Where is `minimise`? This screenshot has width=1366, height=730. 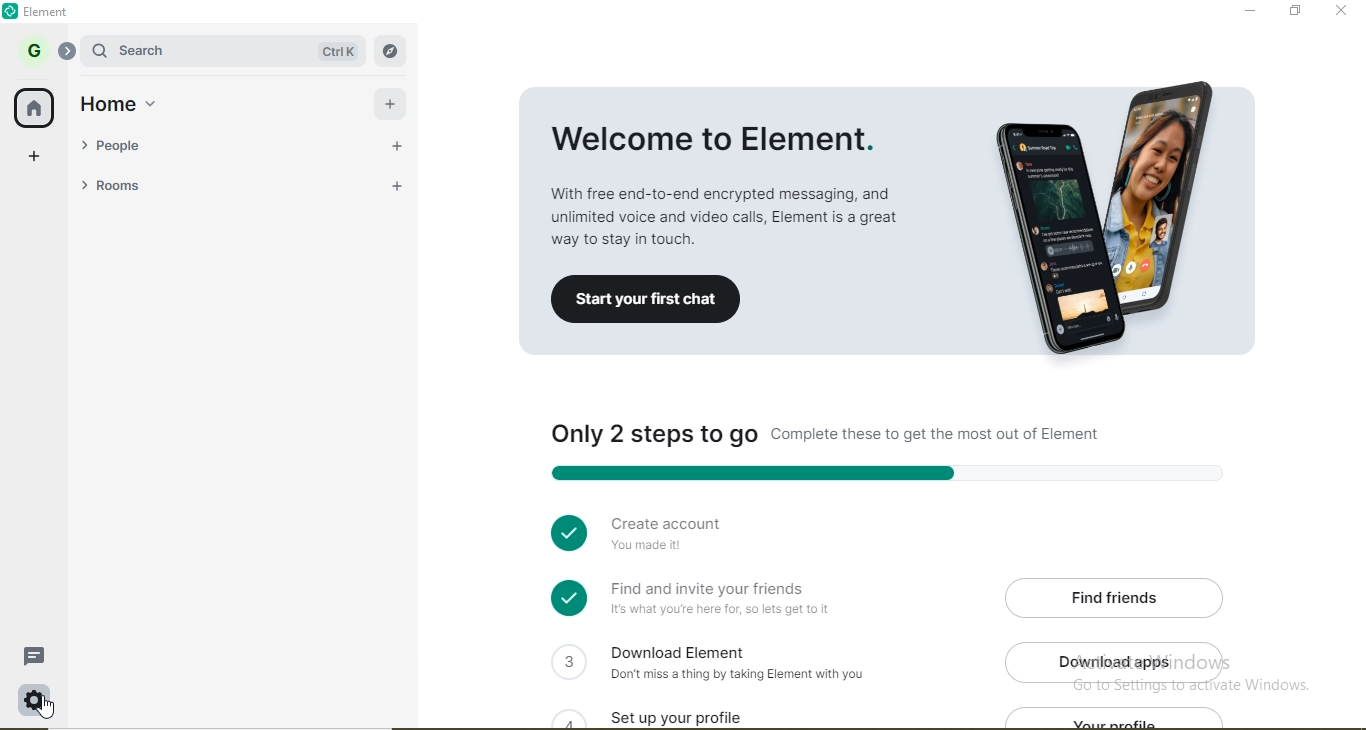
minimise is located at coordinates (1249, 10).